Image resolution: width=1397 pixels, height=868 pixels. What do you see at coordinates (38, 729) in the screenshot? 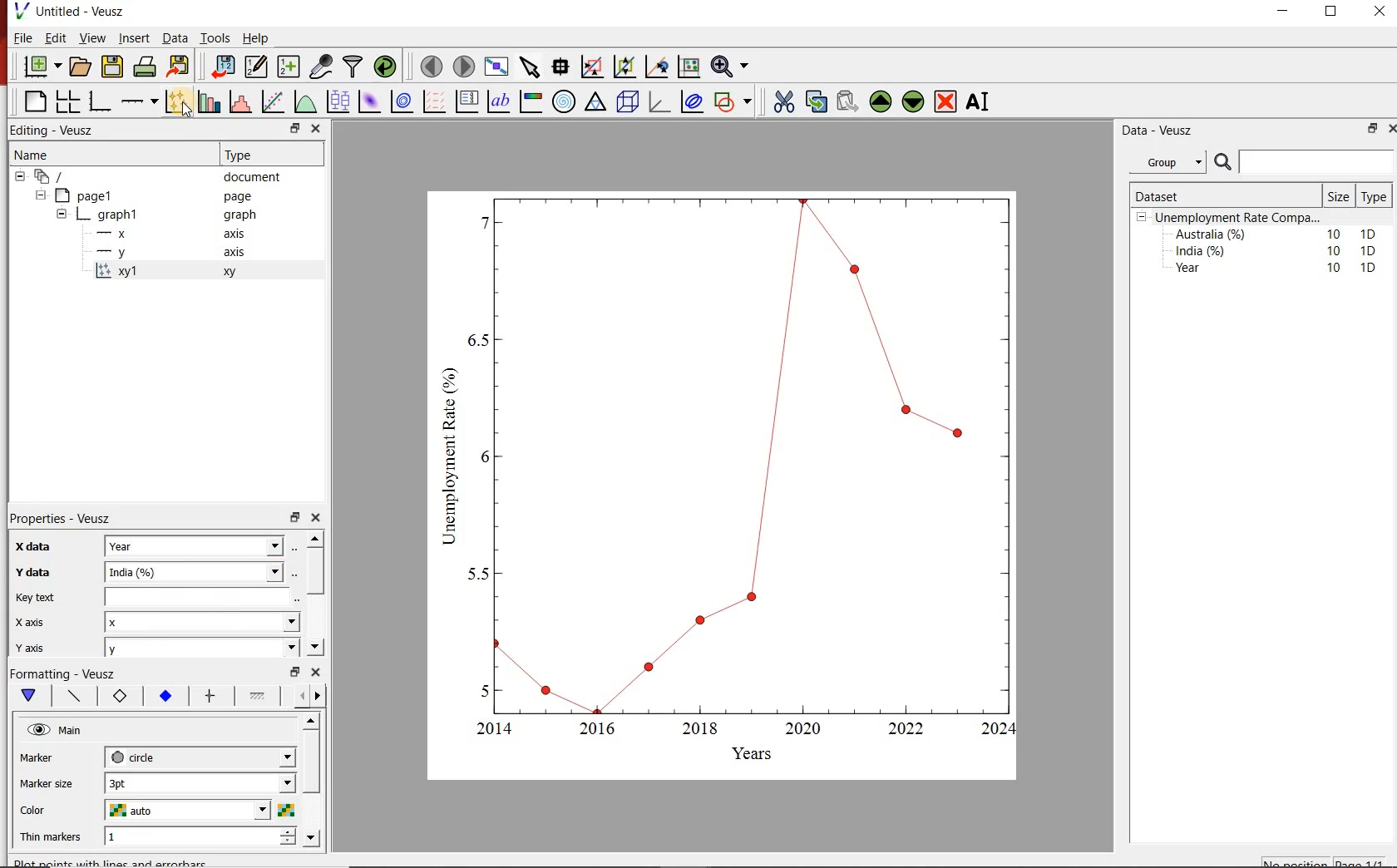
I see `hide/unhide` at bounding box center [38, 729].